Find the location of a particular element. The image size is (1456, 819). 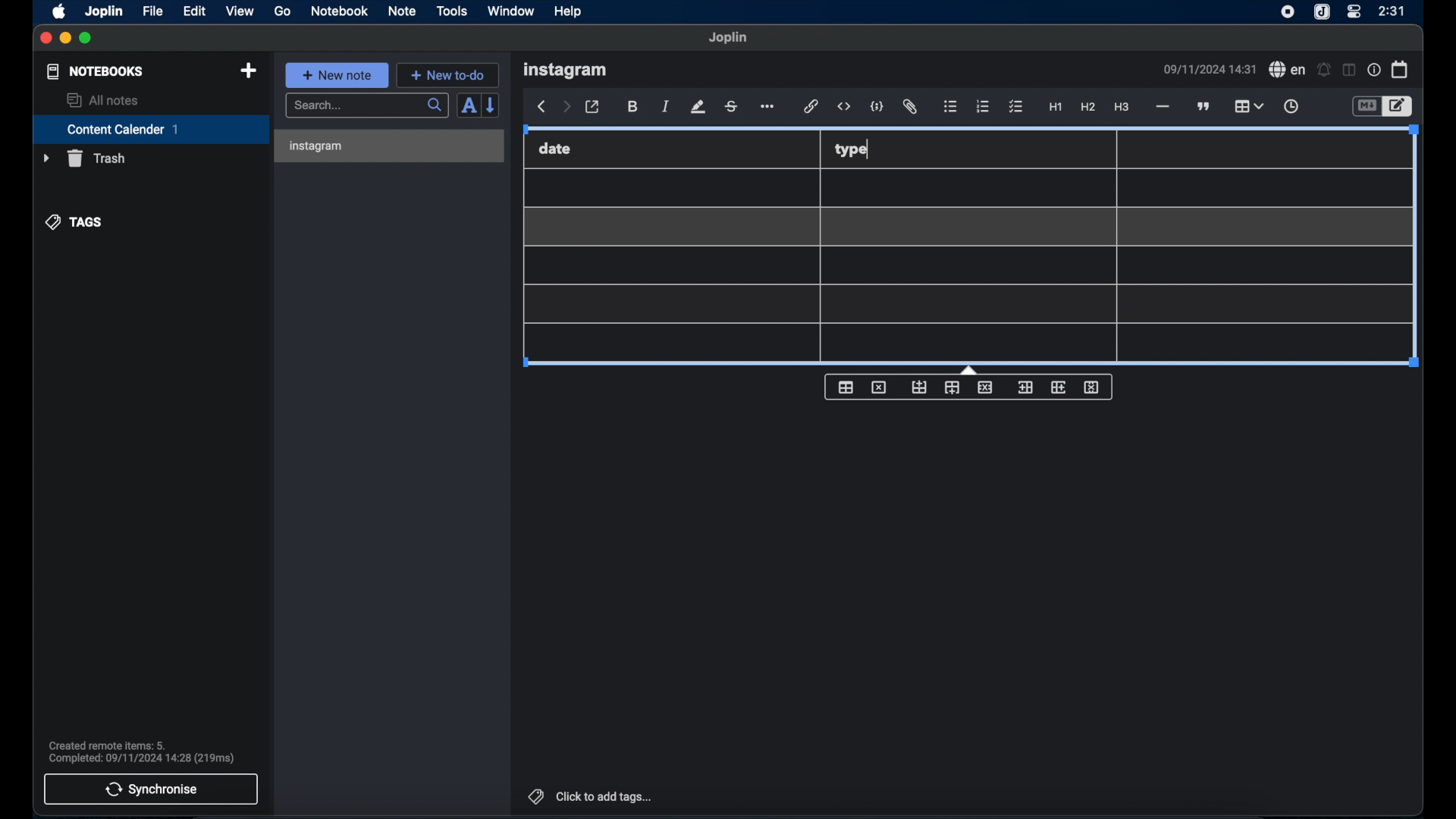

note properties is located at coordinates (1374, 69).